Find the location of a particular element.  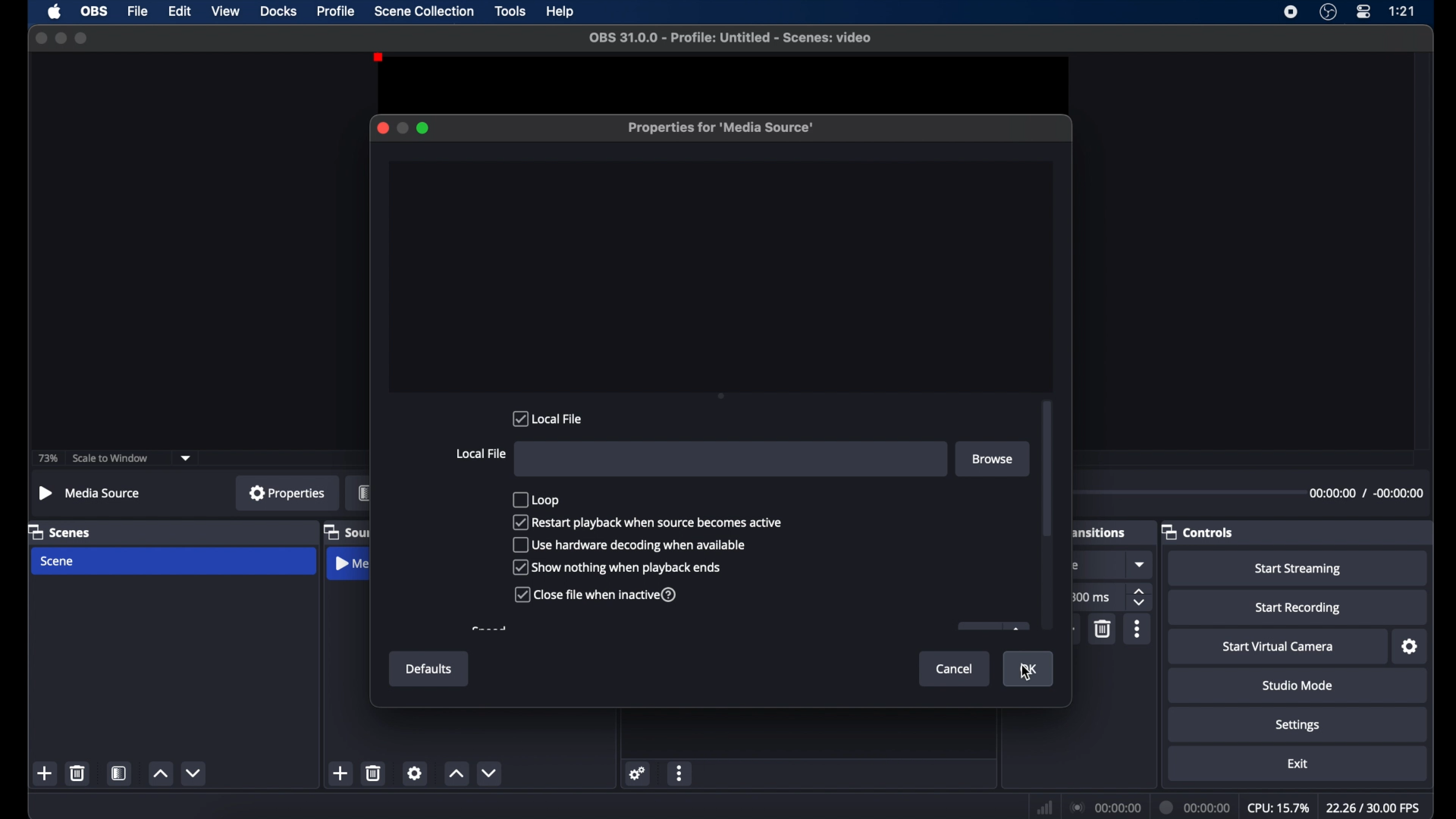

connection is located at coordinates (1103, 808).